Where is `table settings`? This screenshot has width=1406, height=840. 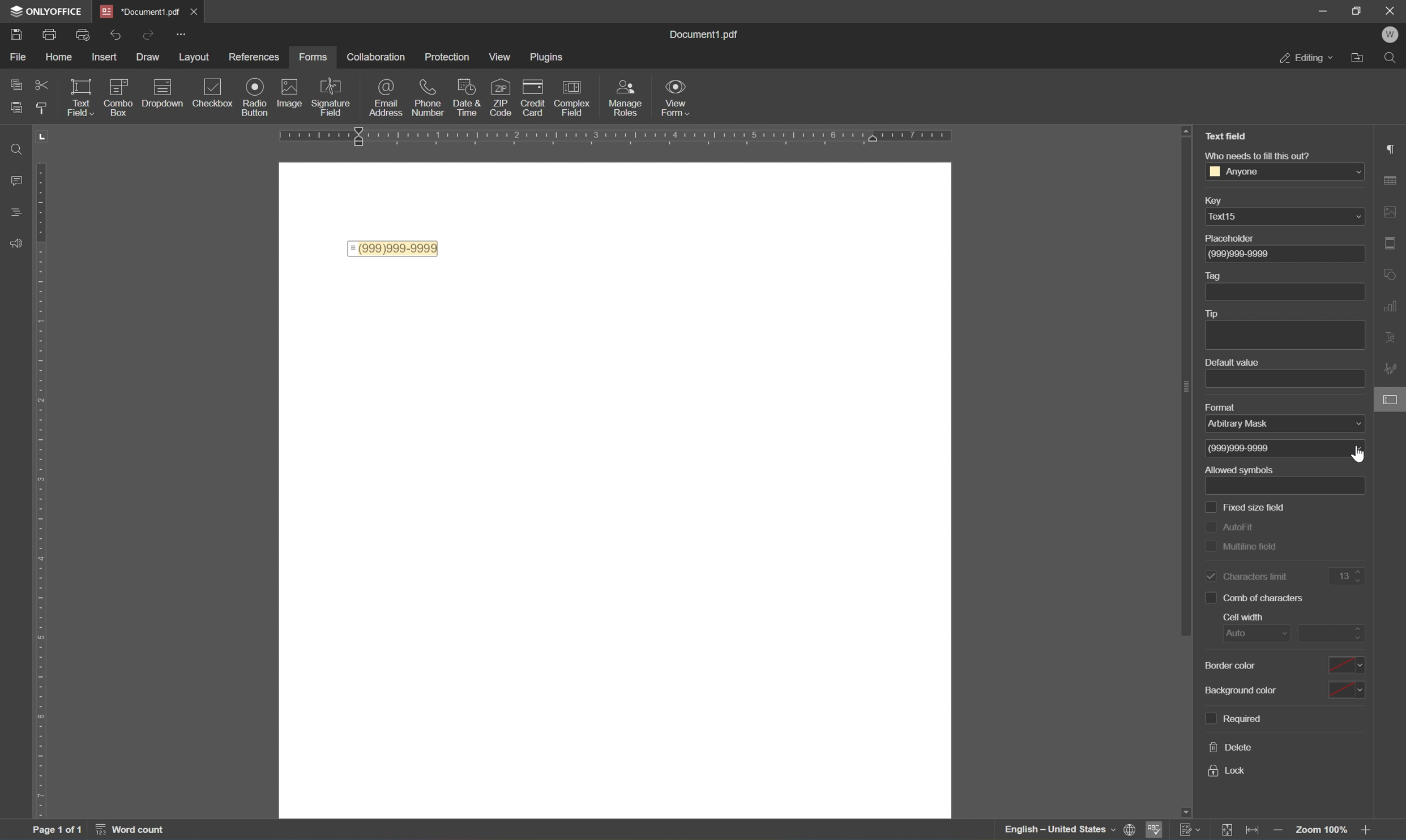 table settings is located at coordinates (1394, 179).